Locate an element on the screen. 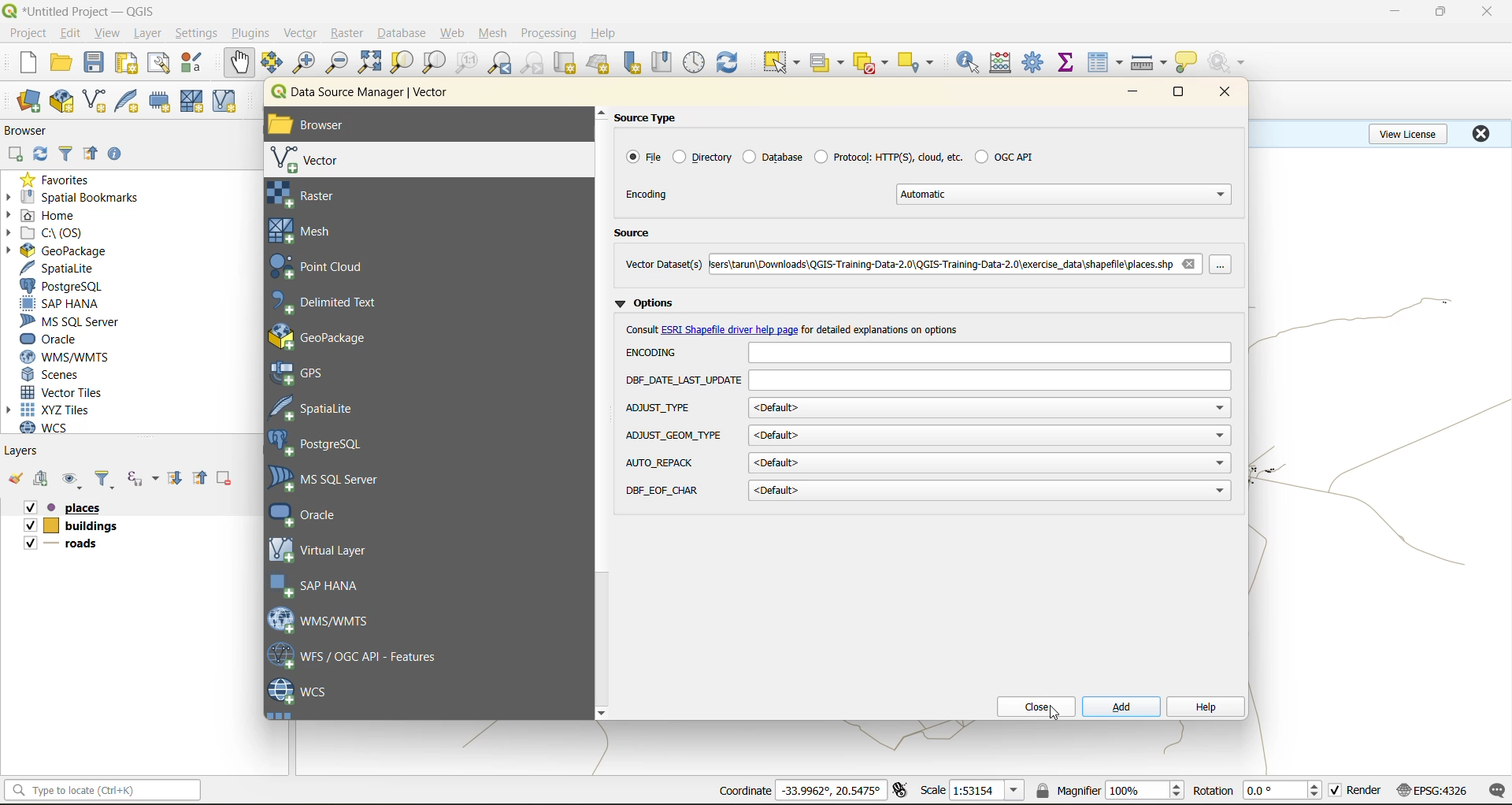 Image resolution: width=1512 pixels, height=805 pixels. browser is located at coordinates (32, 133).